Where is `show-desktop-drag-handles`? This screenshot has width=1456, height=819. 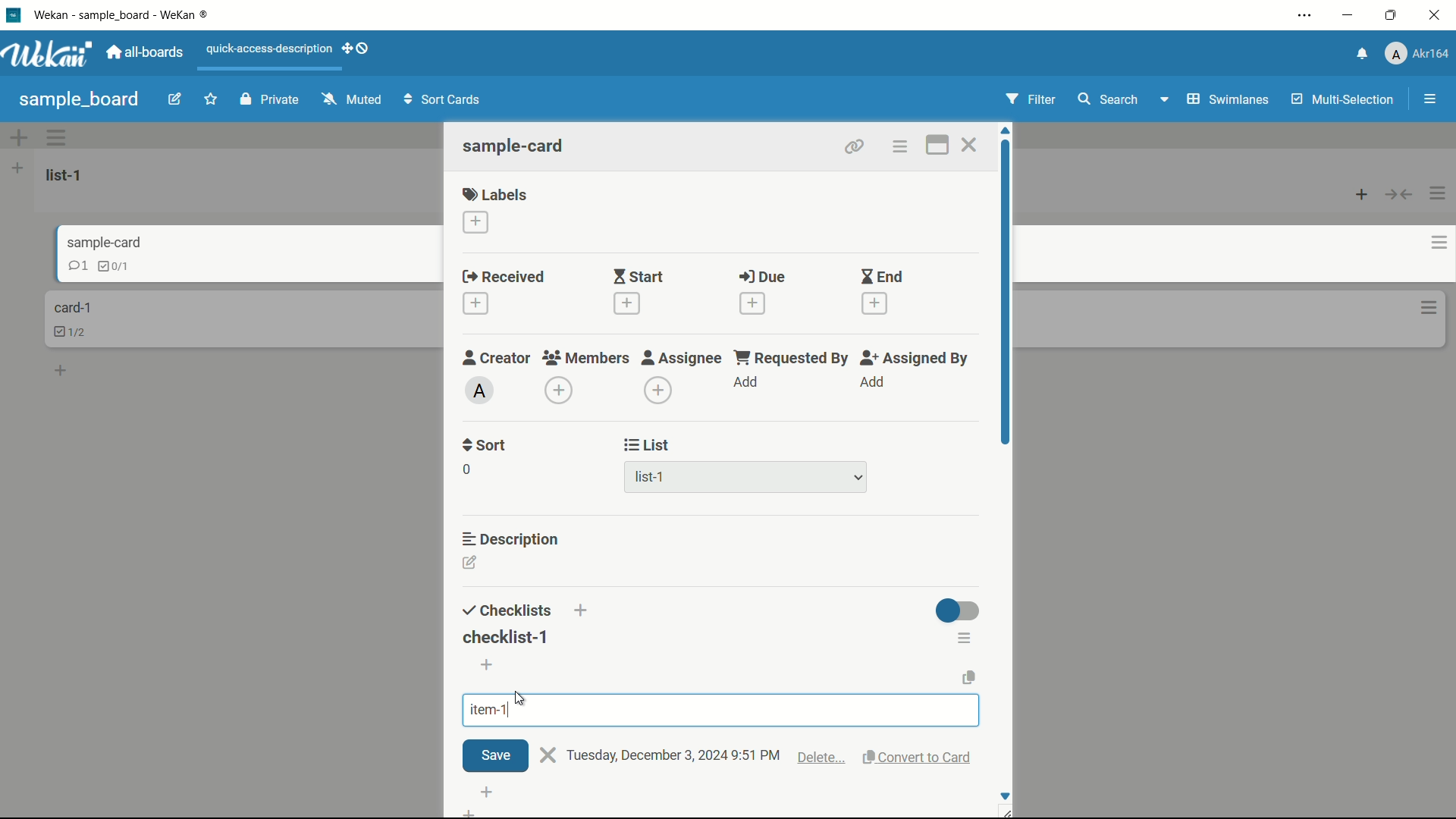 show-desktop-drag-handles is located at coordinates (356, 49).